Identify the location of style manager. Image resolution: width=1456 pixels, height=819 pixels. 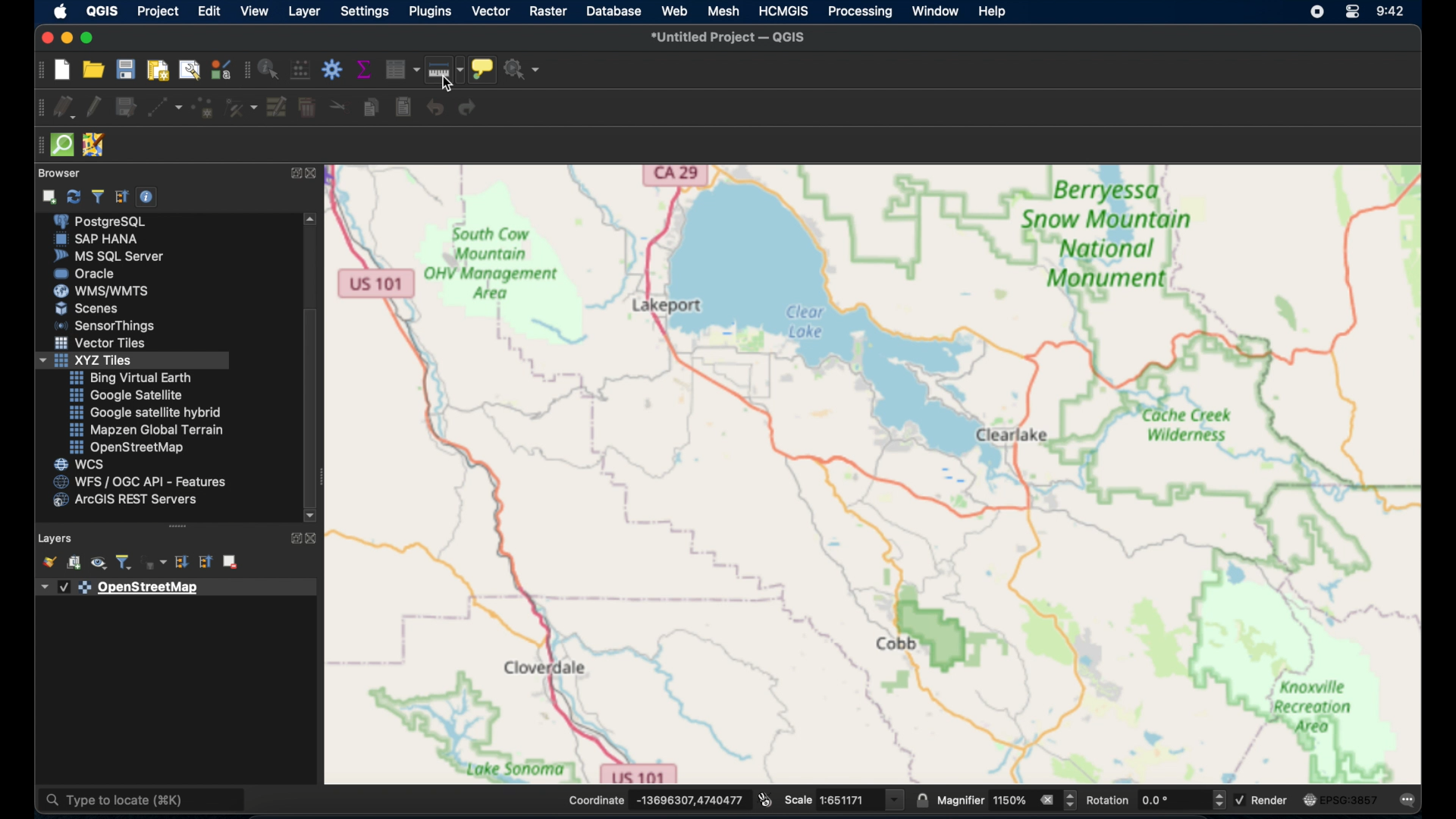
(220, 69).